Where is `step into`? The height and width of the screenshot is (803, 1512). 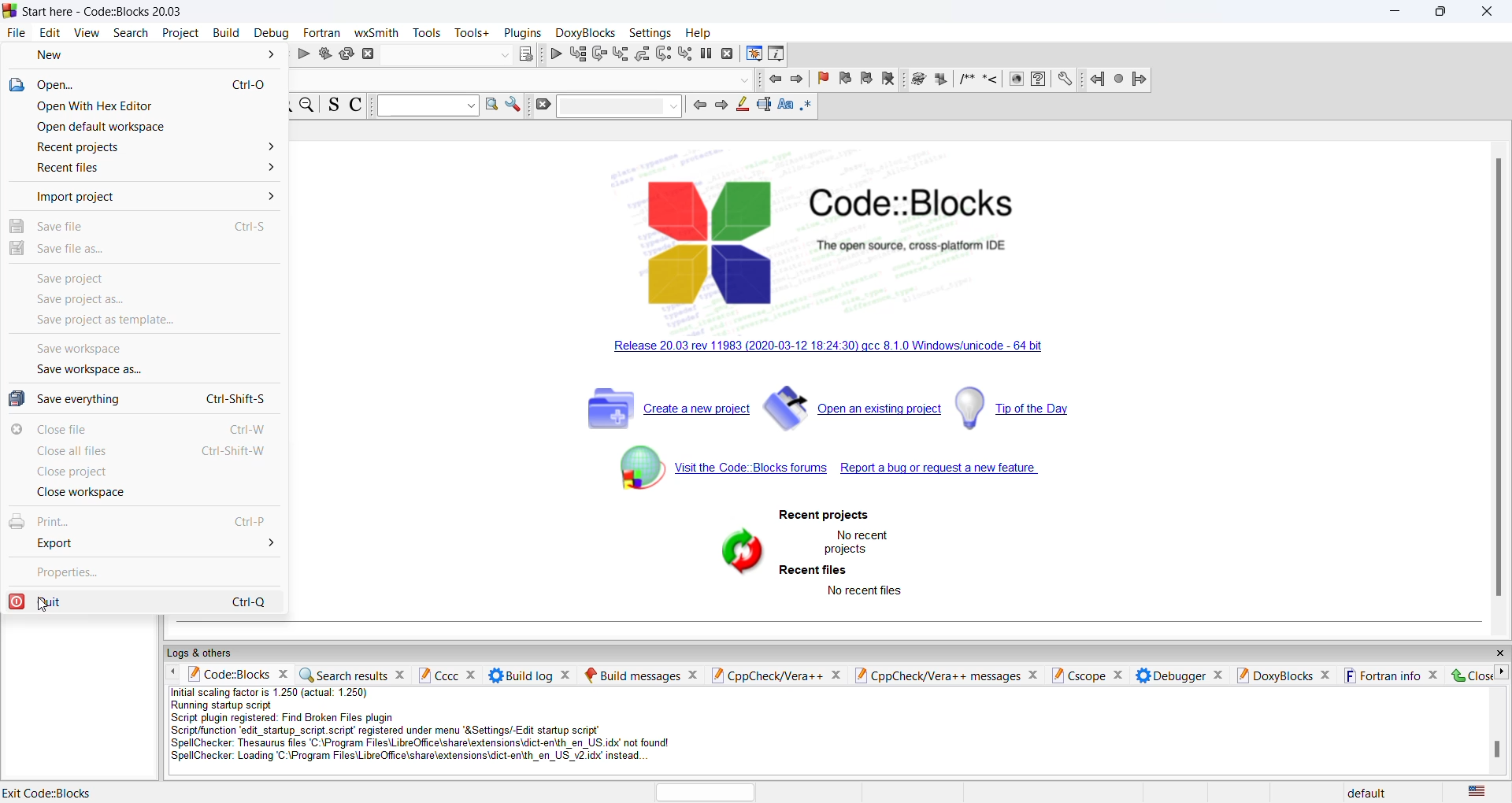
step into is located at coordinates (621, 54).